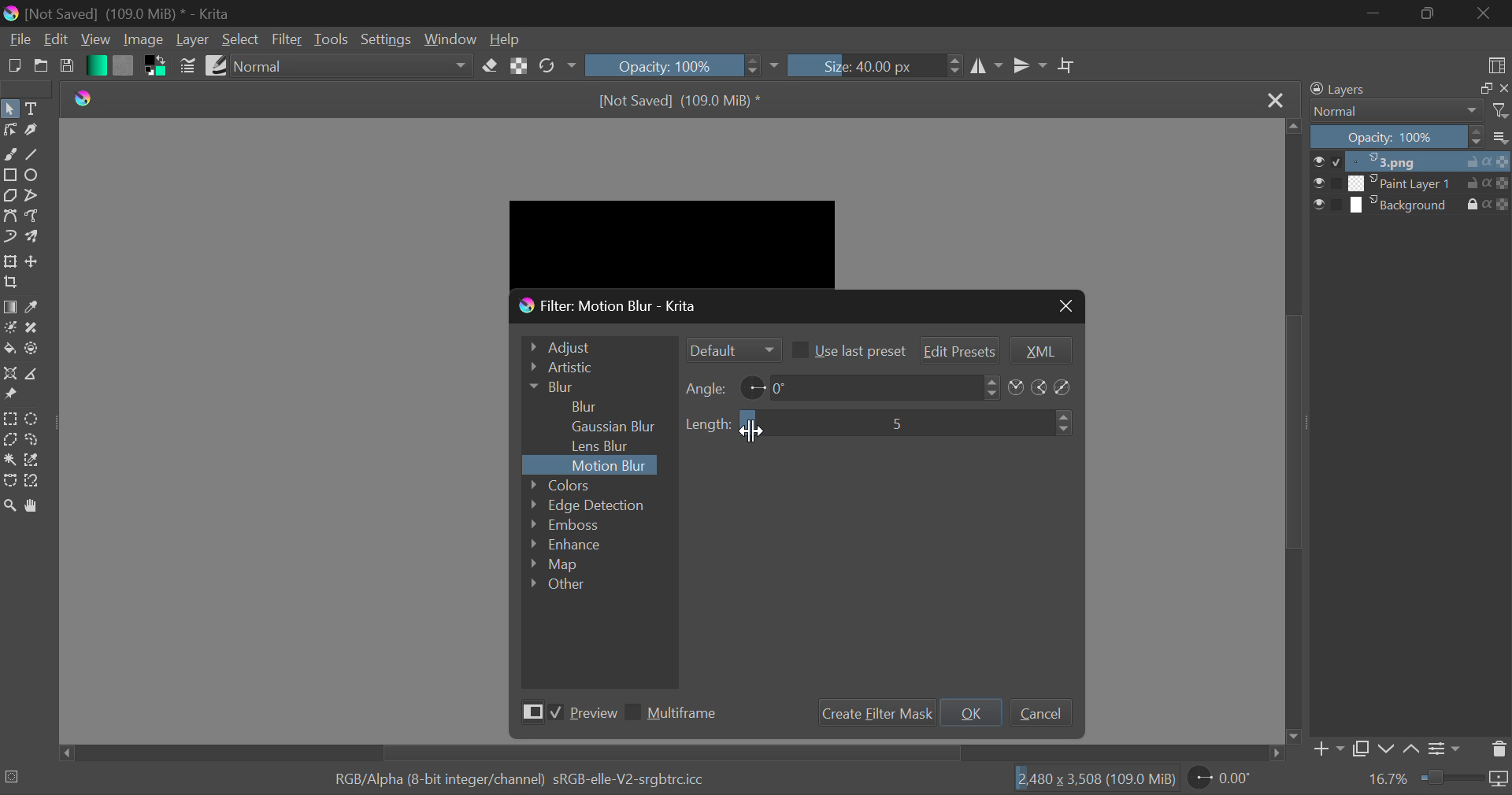 The height and width of the screenshot is (795, 1512). Describe the element at coordinates (216, 65) in the screenshot. I see `Brush Presets` at that location.